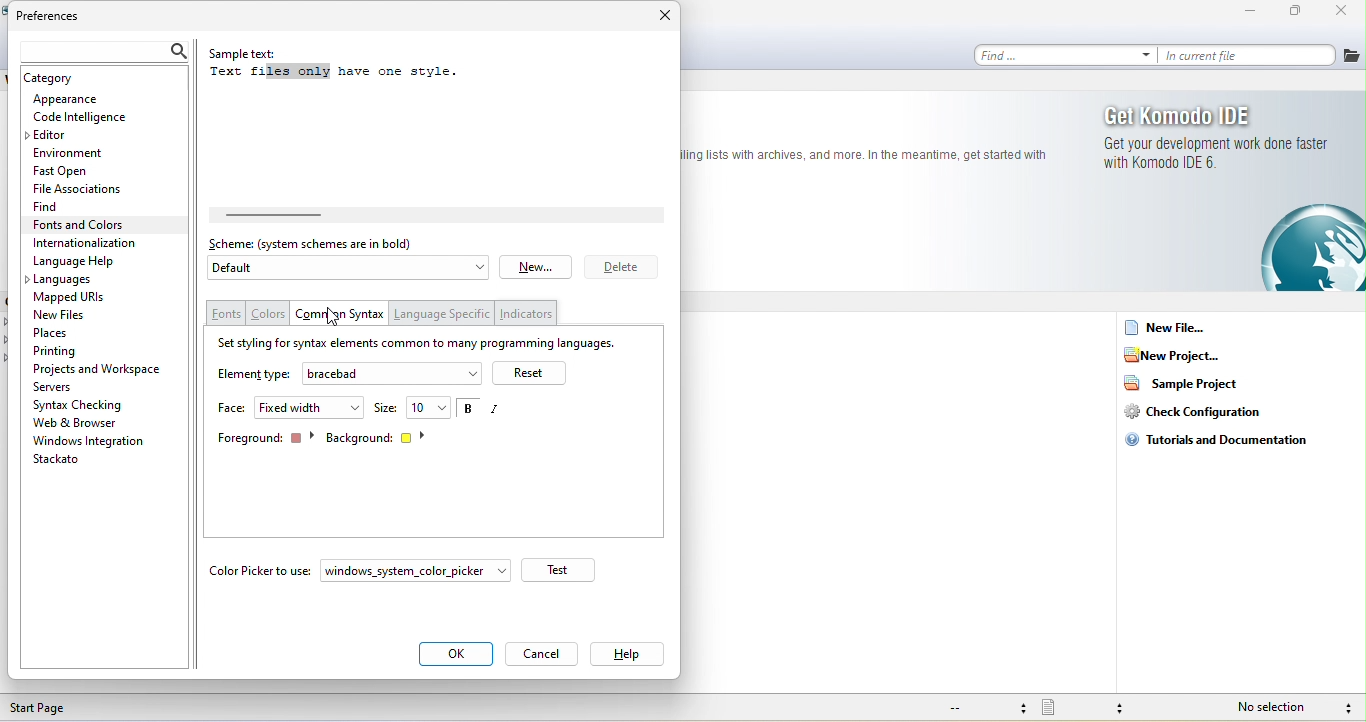 This screenshot has width=1366, height=722. What do you see at coordinates (321, 244) in the screenshot?
I see `scheme` at bounding box center [321, 244].